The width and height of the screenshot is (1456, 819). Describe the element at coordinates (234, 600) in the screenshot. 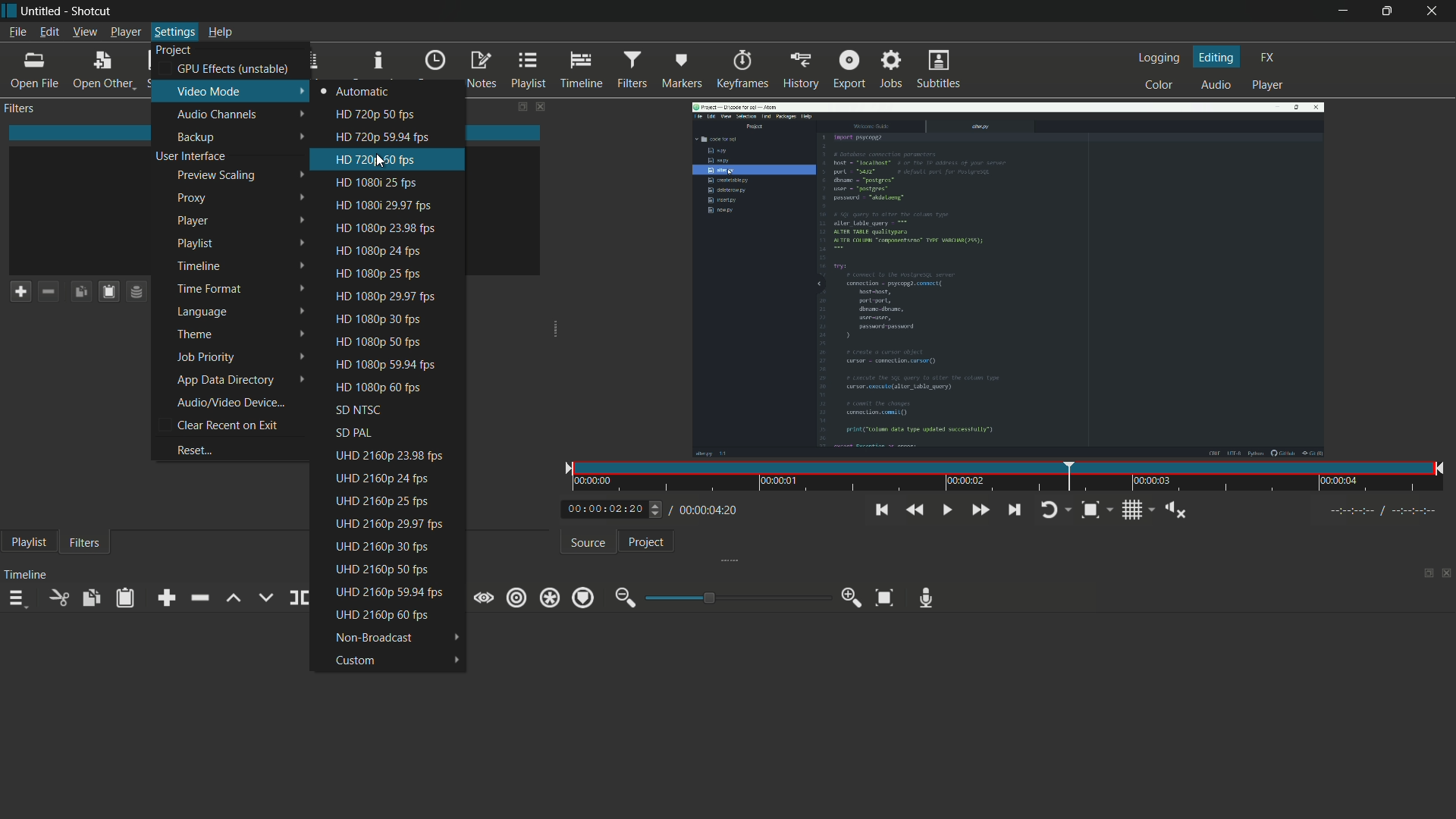

I see `lift` at that location.